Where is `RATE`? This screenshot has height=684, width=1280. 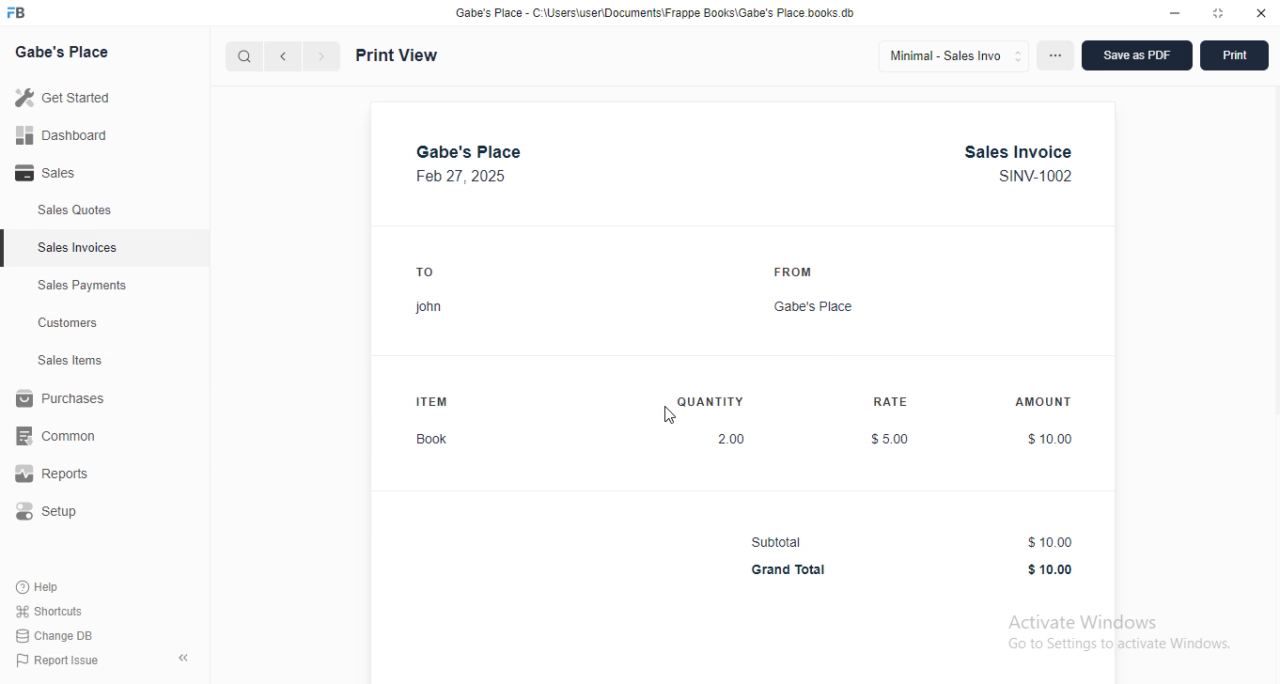
RATE is located at coordinates (892, 401).